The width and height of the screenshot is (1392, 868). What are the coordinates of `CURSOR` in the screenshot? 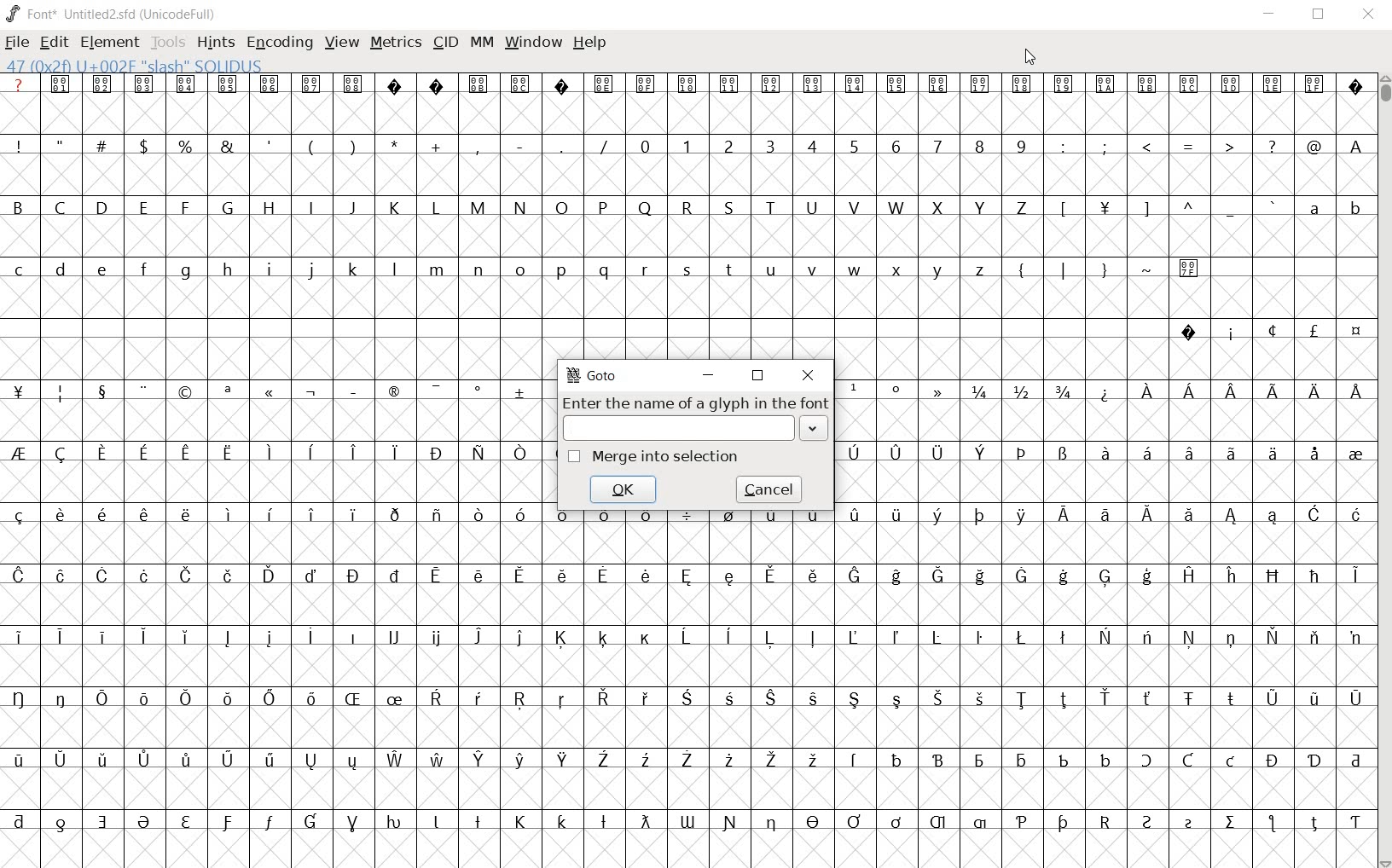 It's located at (1383, 472).